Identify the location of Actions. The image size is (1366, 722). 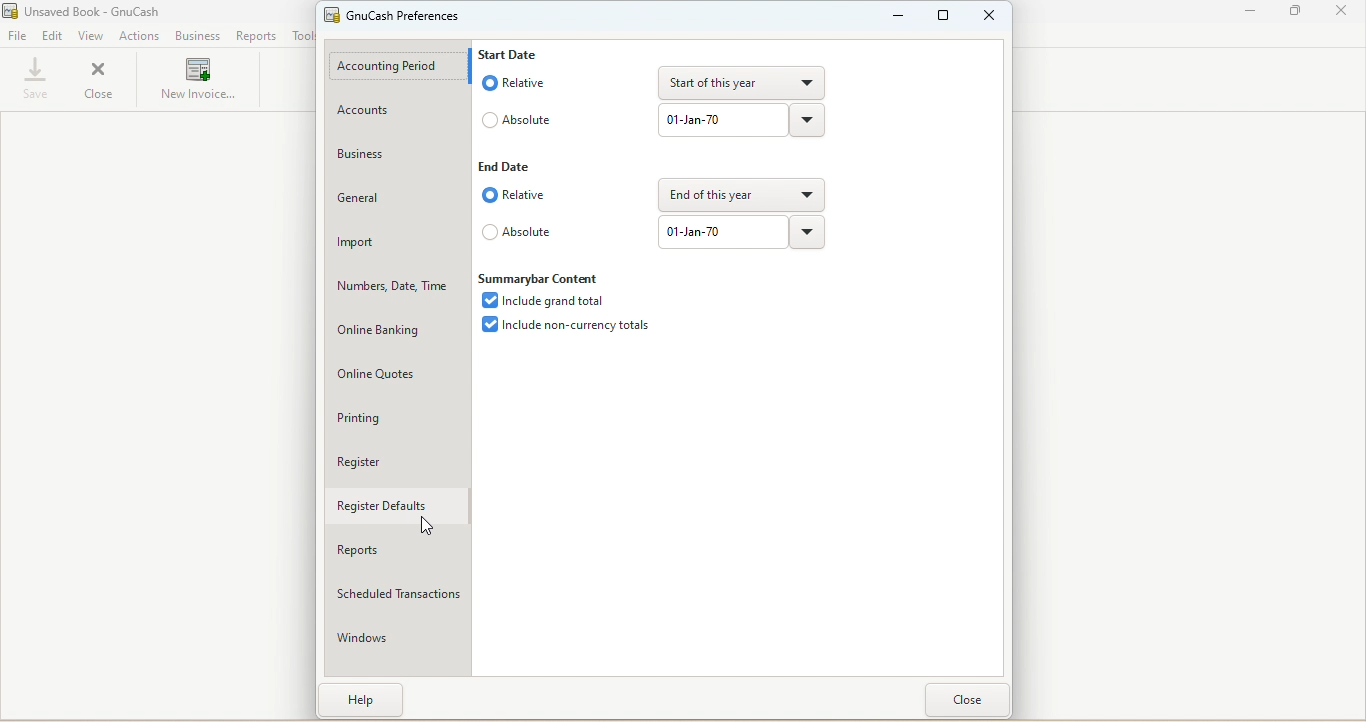
(140, 37).